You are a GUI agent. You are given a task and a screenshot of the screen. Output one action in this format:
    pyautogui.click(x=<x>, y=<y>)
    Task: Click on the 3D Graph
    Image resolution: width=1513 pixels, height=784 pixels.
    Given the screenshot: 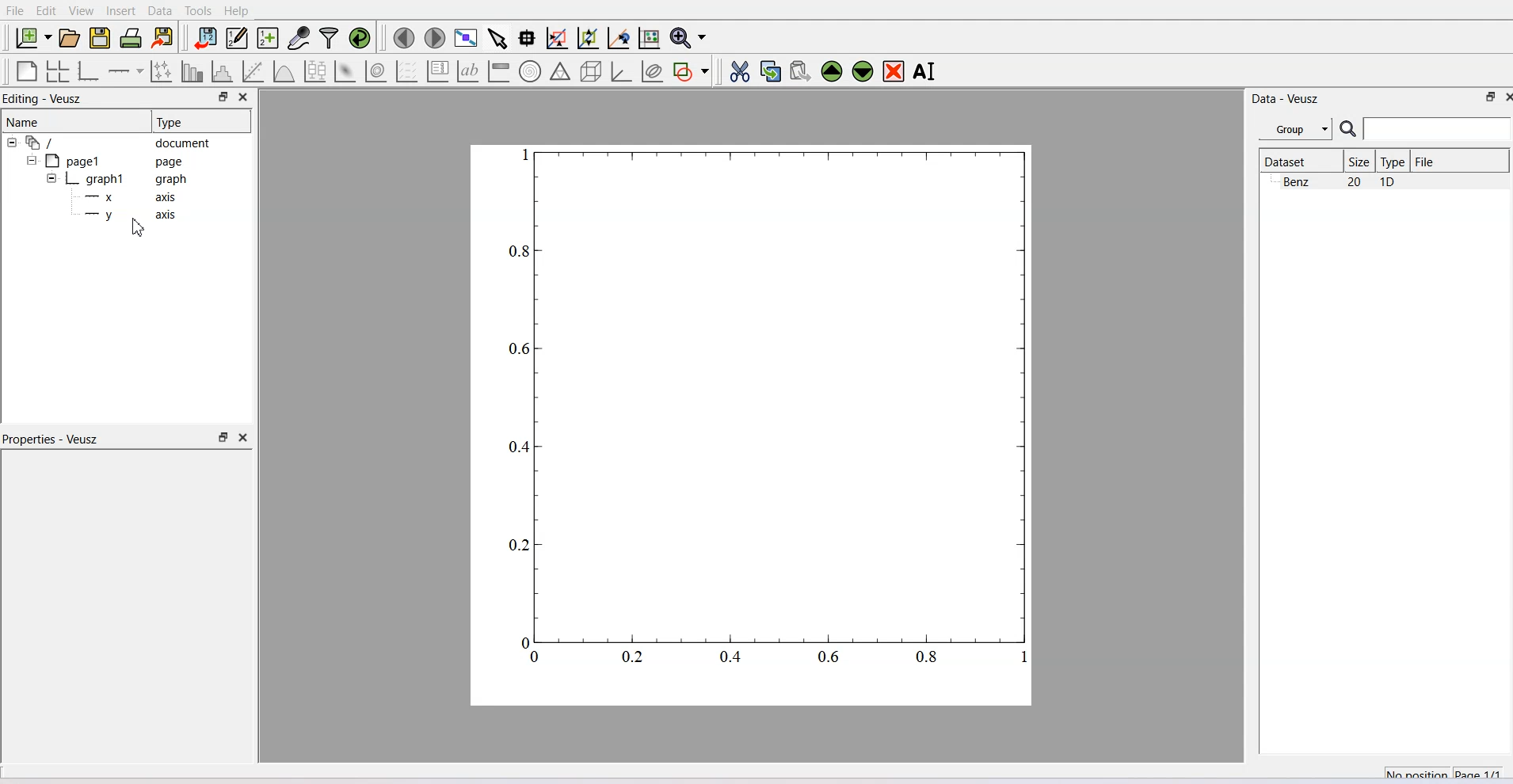 What is the action you would take?
    pyautogui.click(x=622, y=71)
    